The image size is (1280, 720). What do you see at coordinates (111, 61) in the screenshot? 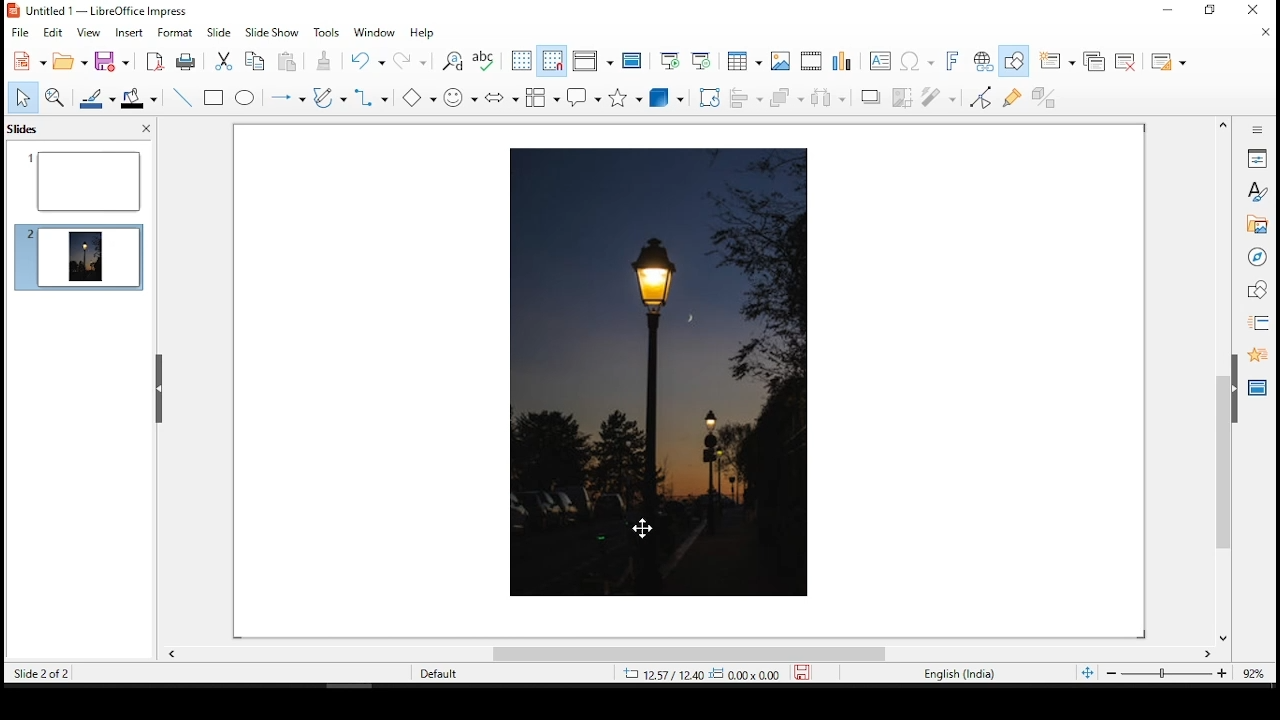
I see `save` at bounding box center [111, 61].